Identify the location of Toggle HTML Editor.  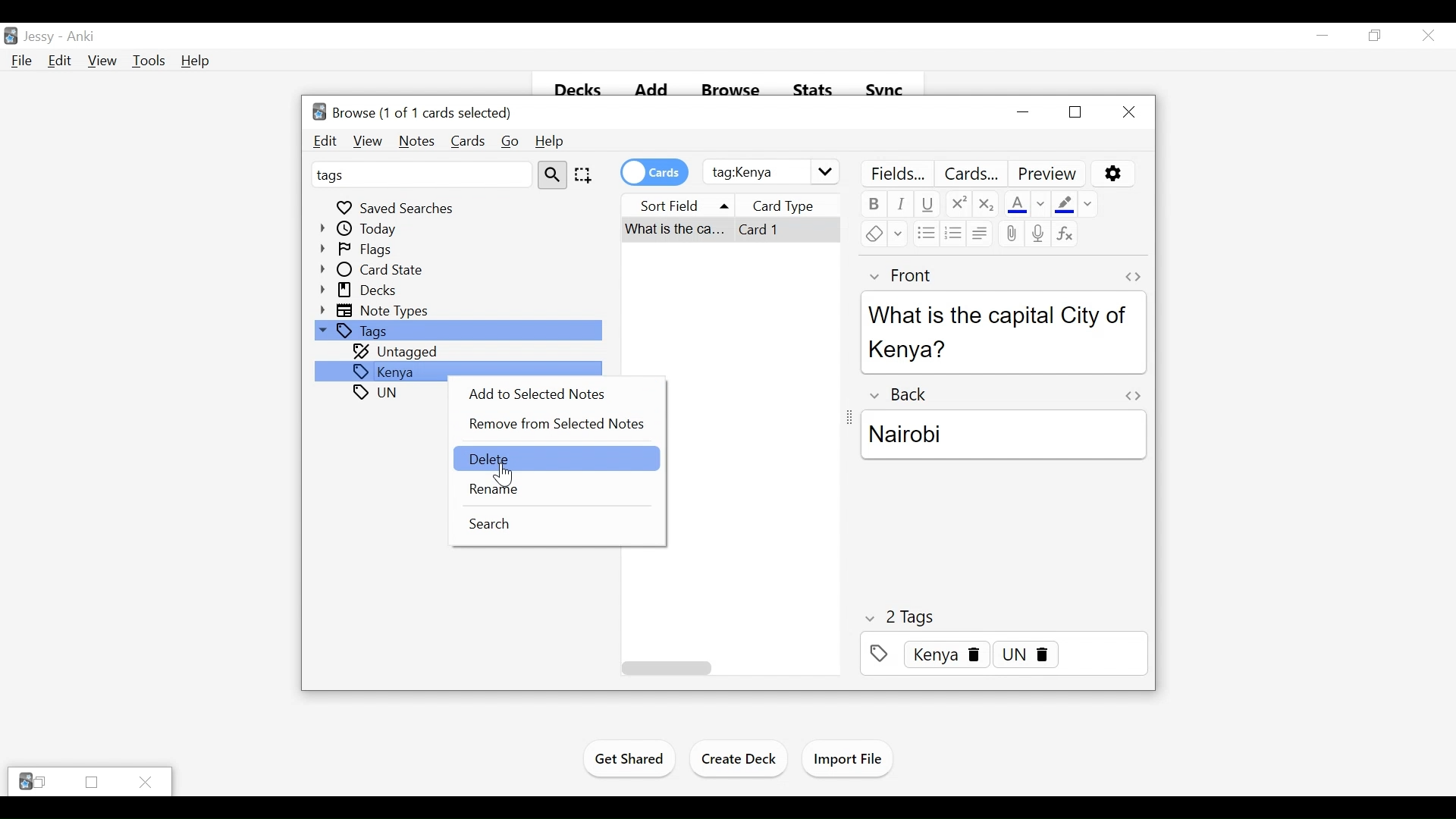
(1132, 277).